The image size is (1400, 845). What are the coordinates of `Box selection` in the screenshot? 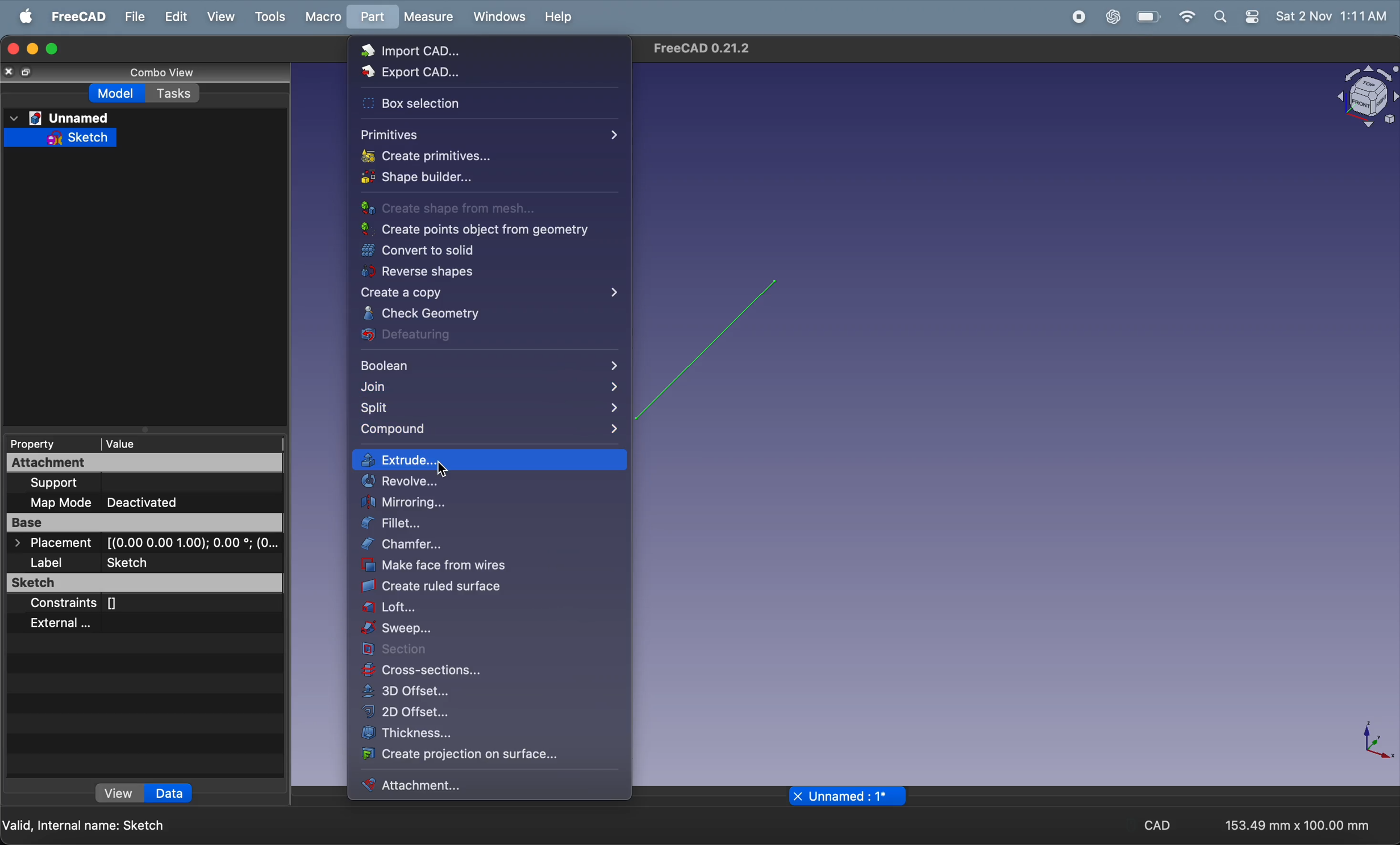 It's located at (476, 106).